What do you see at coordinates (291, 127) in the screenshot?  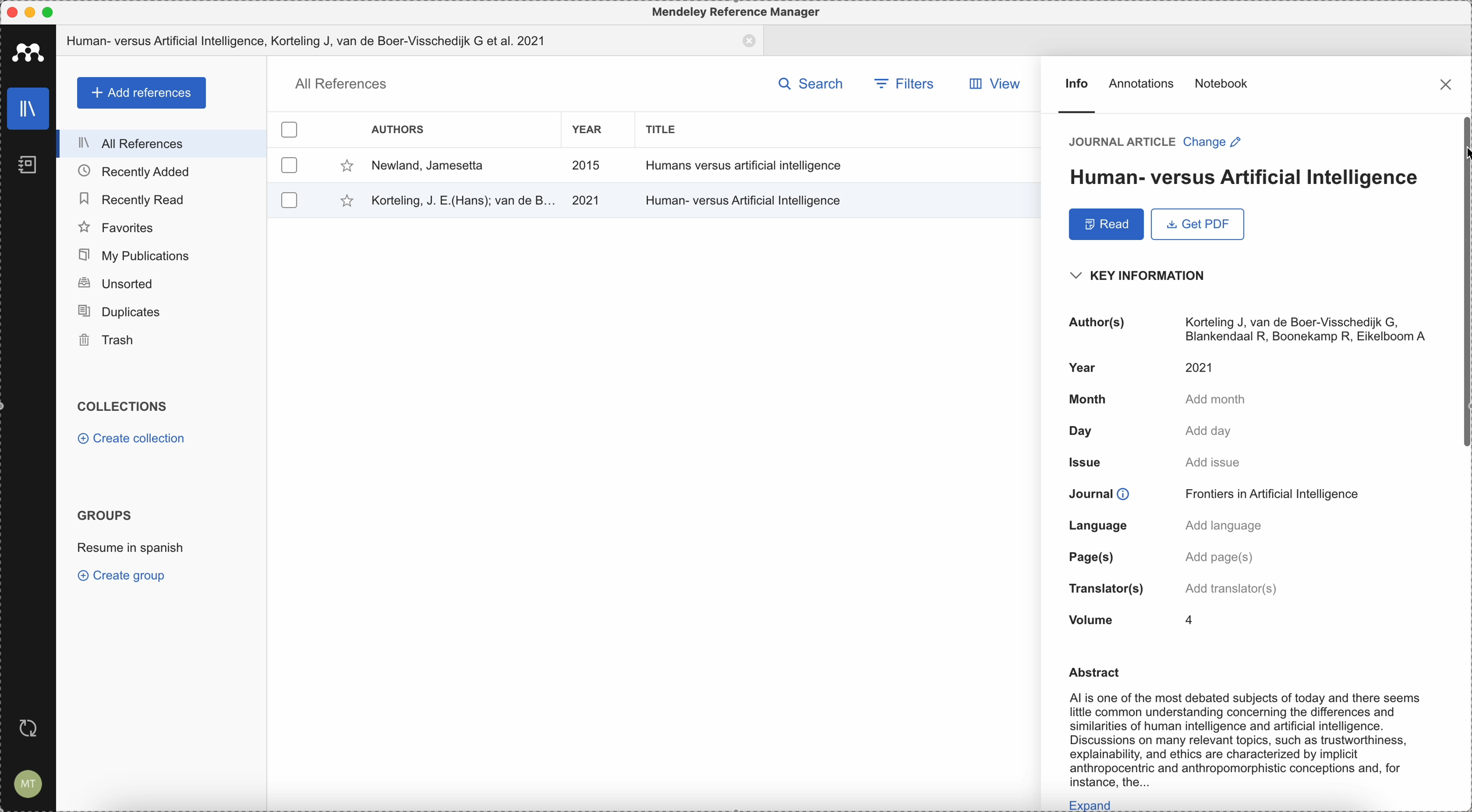 I see `checkbox` at bounding box center [291, 127].